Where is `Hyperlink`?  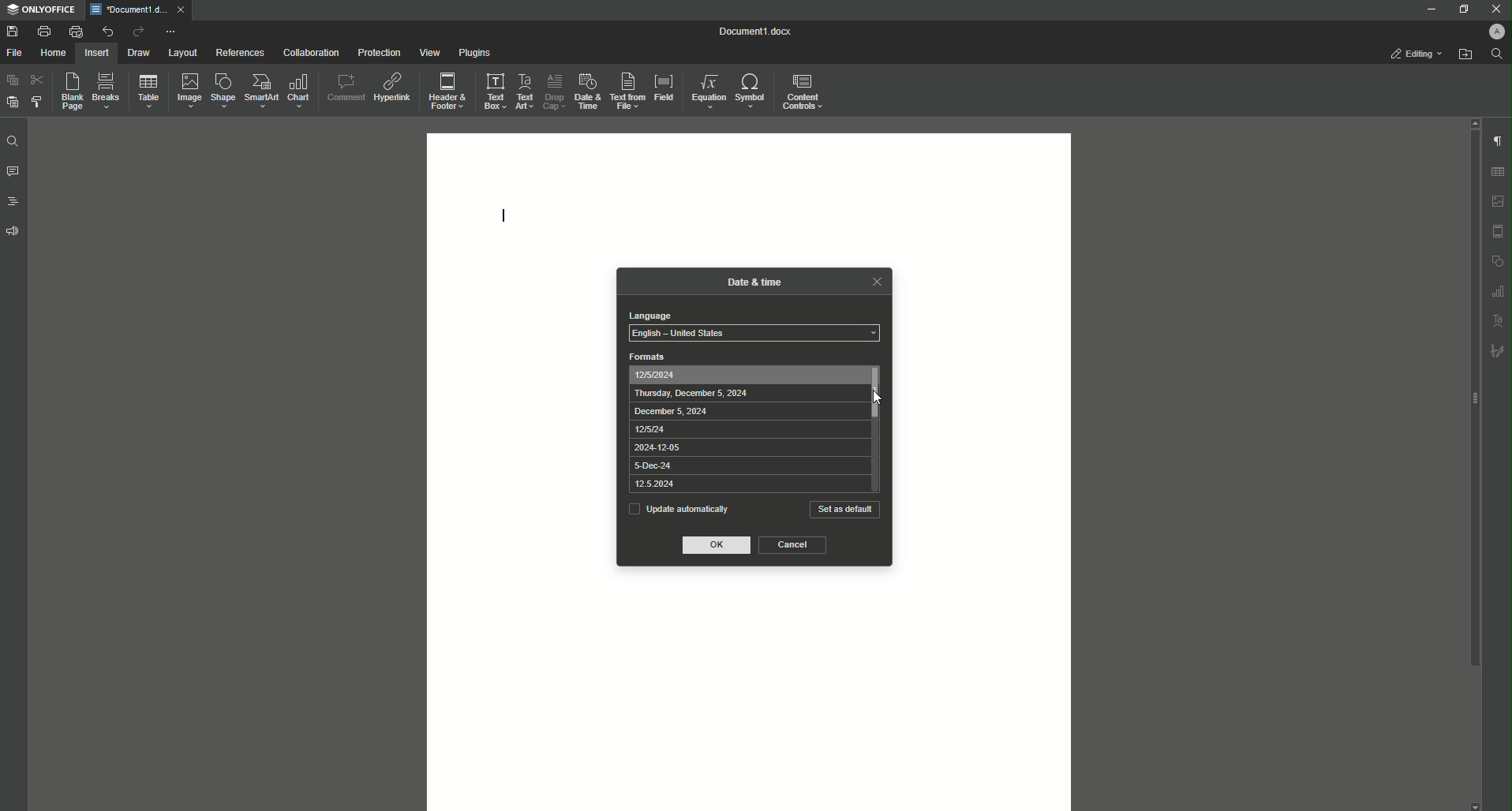 Hyperlink is located at coordinates (391, 84).